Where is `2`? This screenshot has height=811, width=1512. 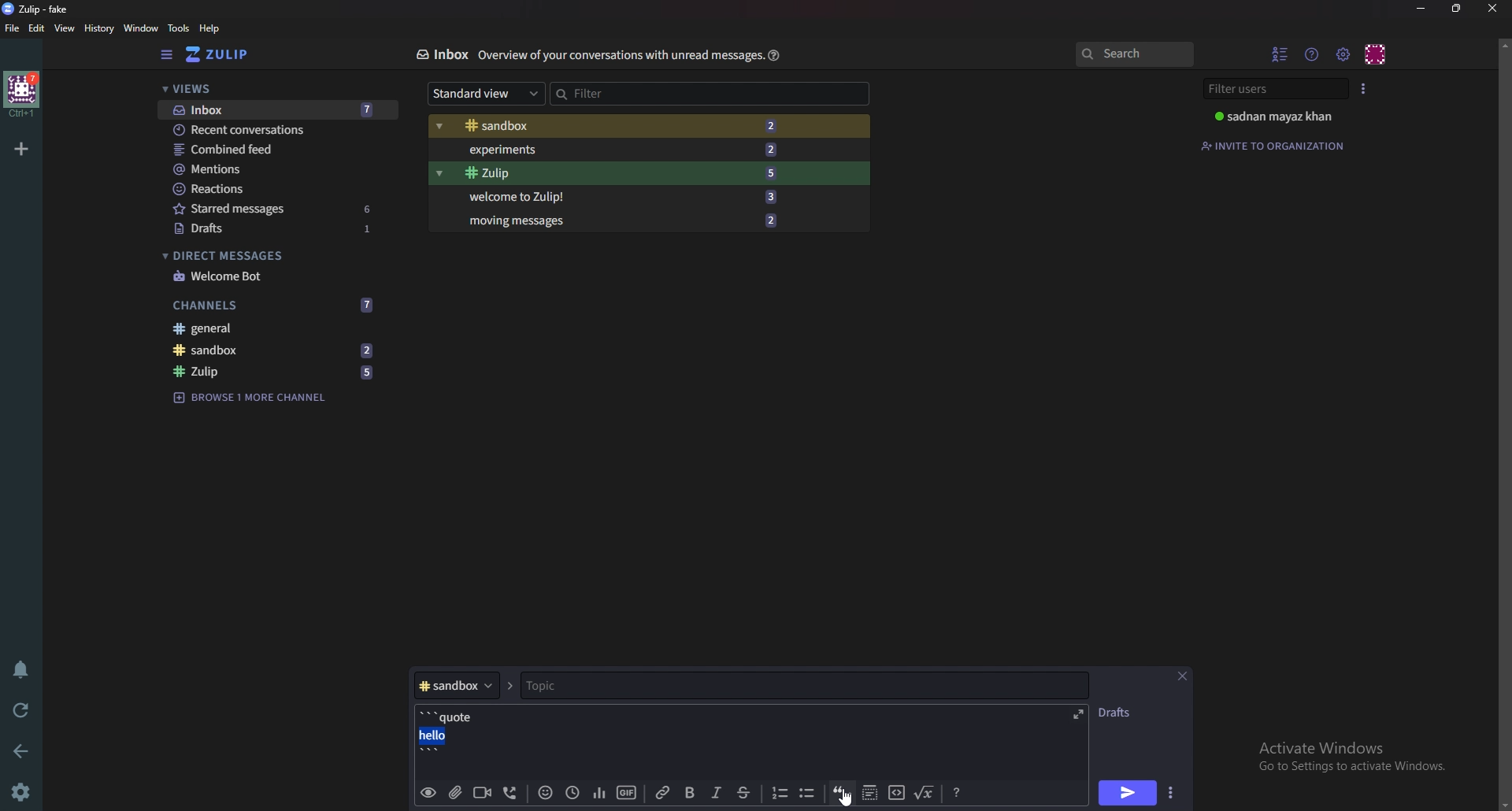 2 is located at coordinates (776, 148).